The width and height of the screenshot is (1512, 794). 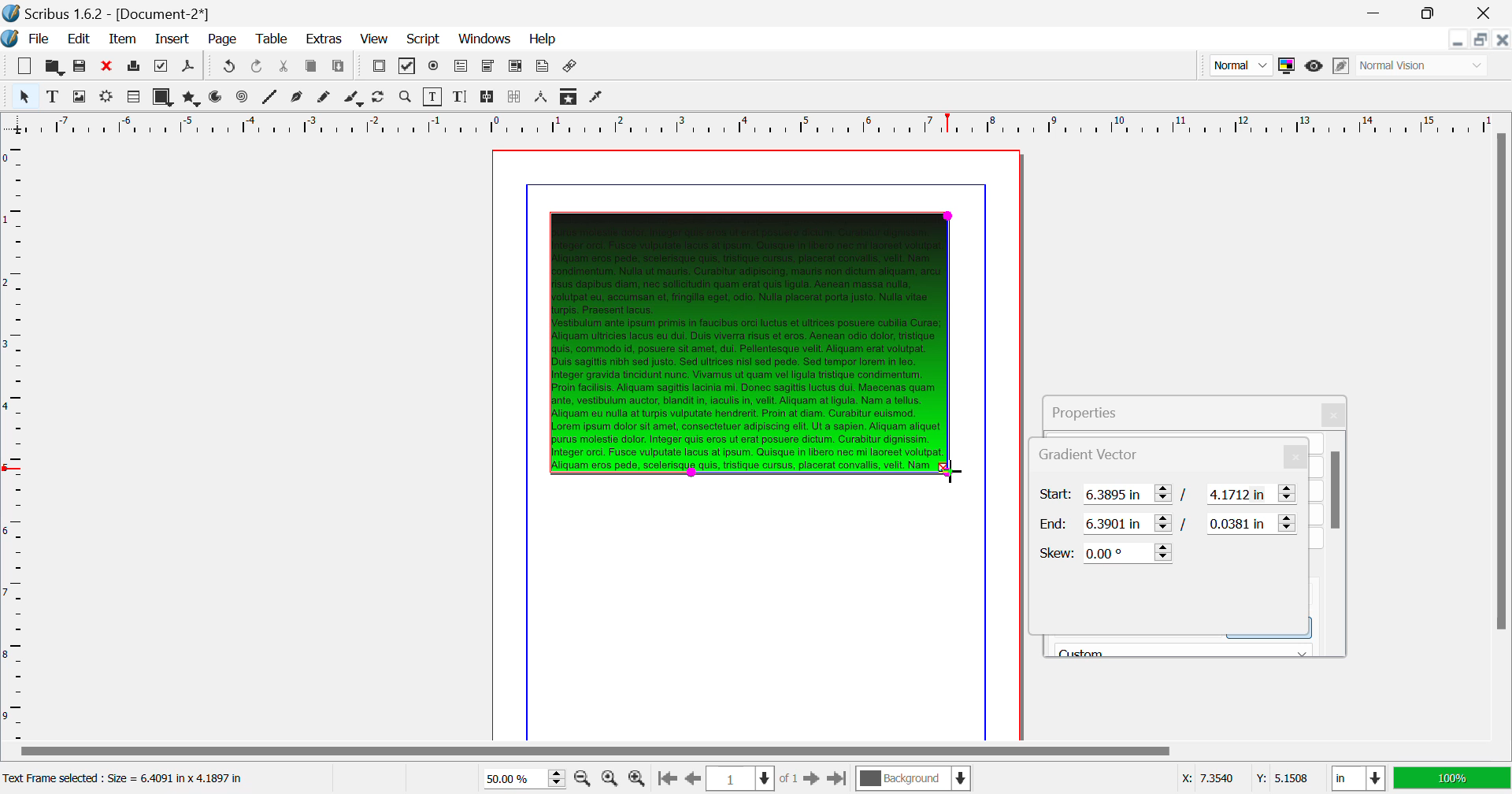 What do you see at coordinates (584, 777) in the screenshot?
I see `Zoom Out` at bounding box center [584, 777].